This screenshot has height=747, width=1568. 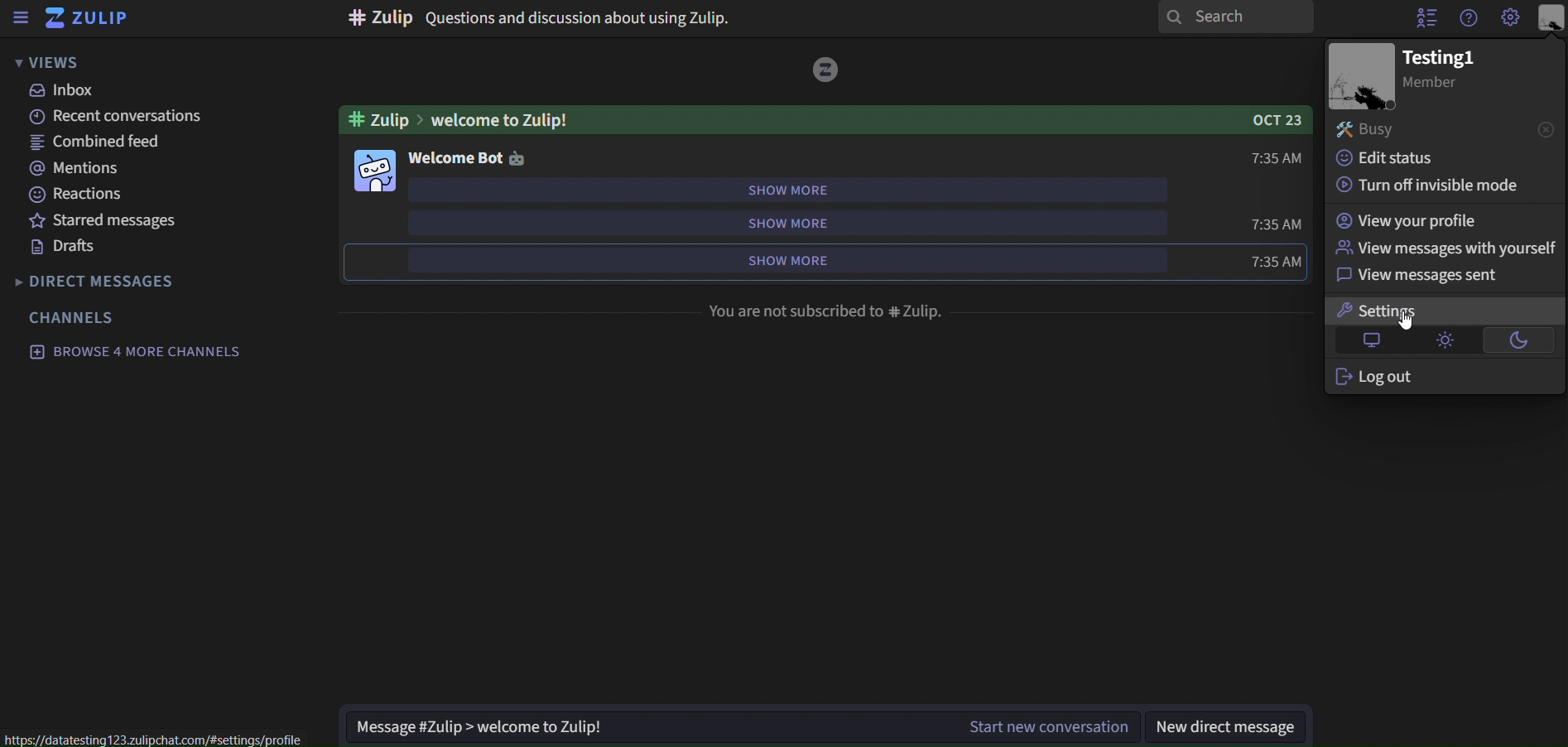 I want to click on search, so click(x=1238, y=17).